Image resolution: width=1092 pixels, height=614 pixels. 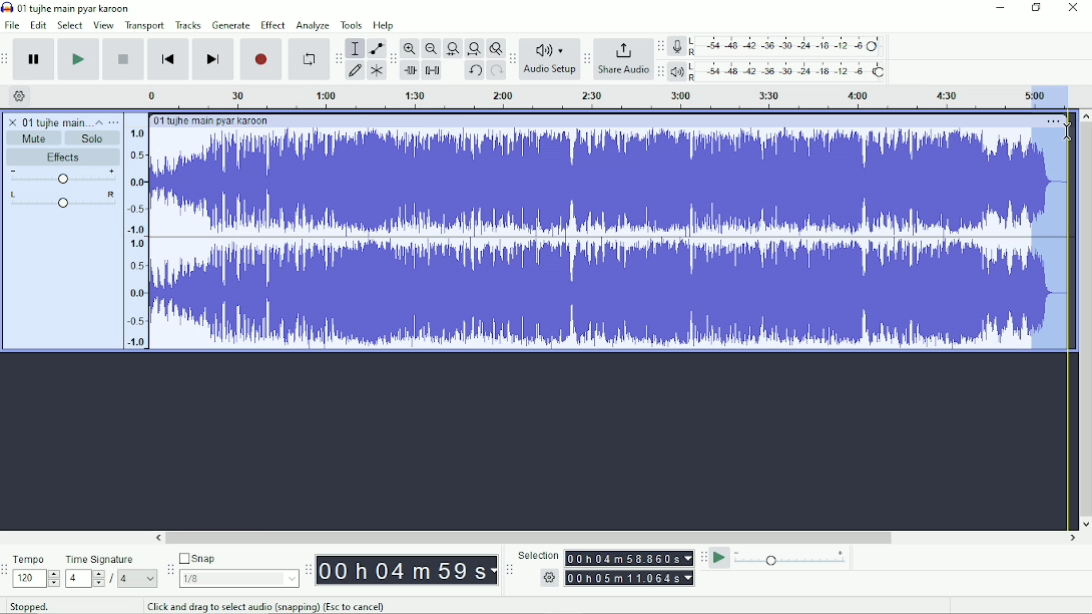 What do you see at coordinates (624, 58) in the screenshot?
I see `Share Audio` at bounding box center [624, 58].